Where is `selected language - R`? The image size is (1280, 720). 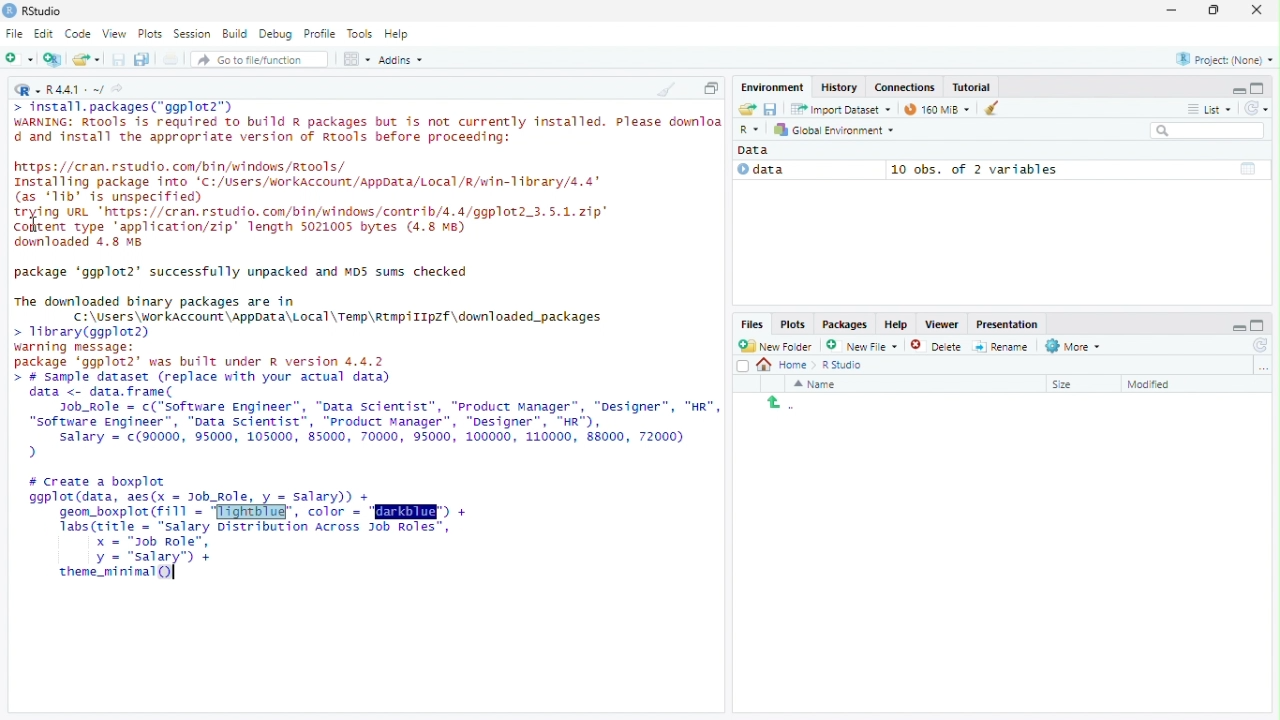 selected language - R is located at coordinates (750, 129).